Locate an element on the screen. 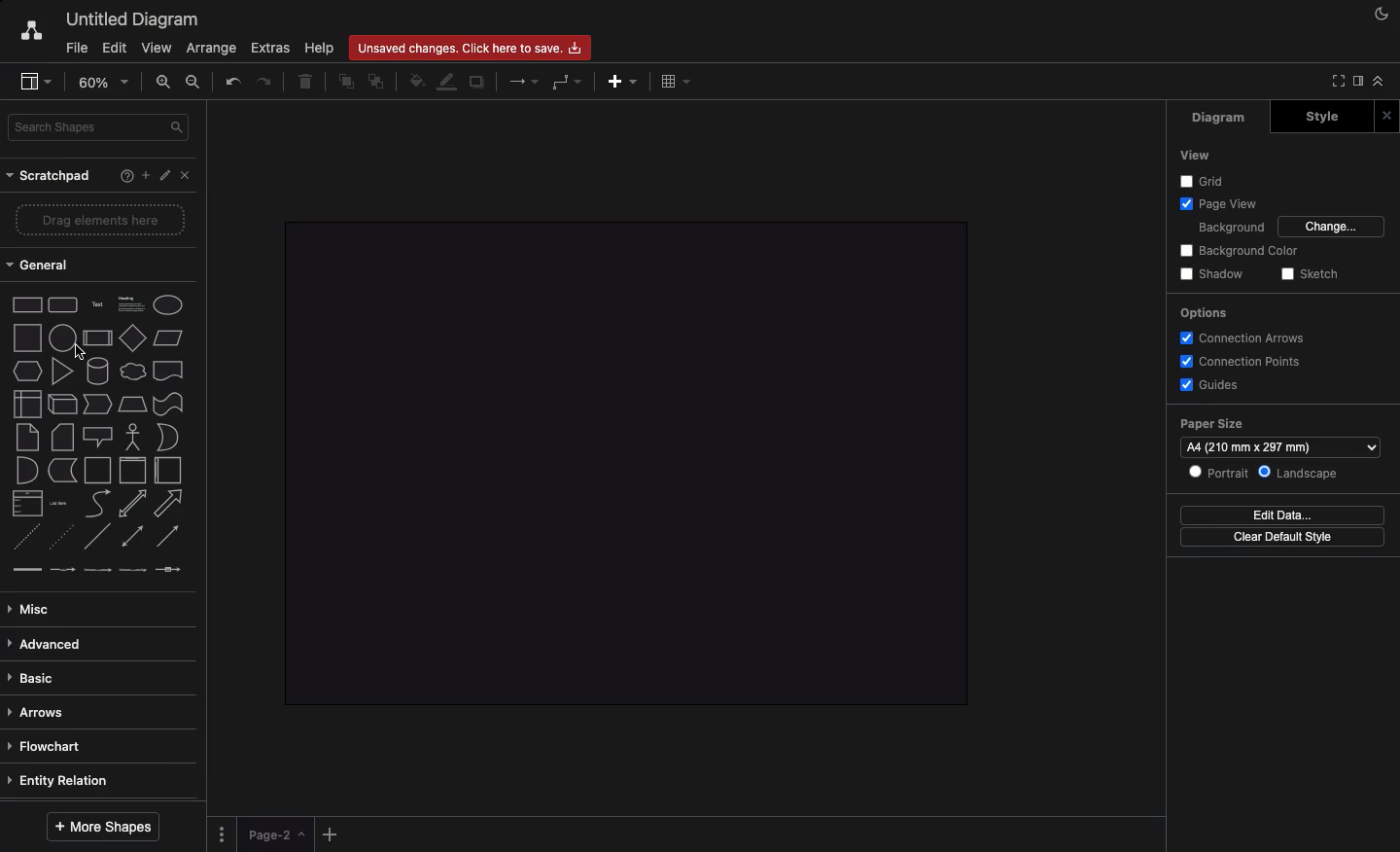 The image size is (1400, 852). Sidebar is located at coordinates (33, 83).